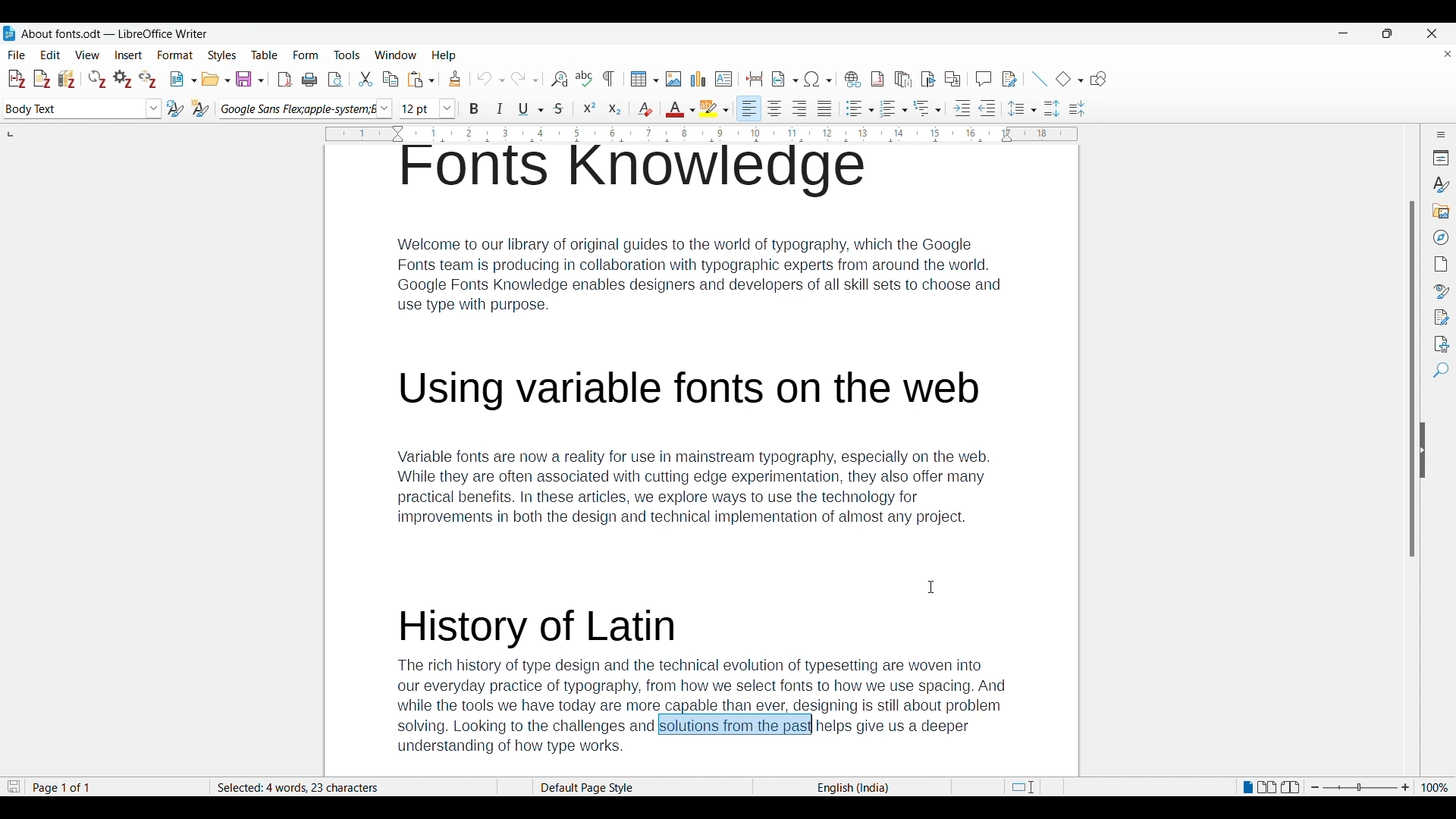  Describe the element at coordinates (1439, 158) in the screenshot. I see `Properties ` at that location.